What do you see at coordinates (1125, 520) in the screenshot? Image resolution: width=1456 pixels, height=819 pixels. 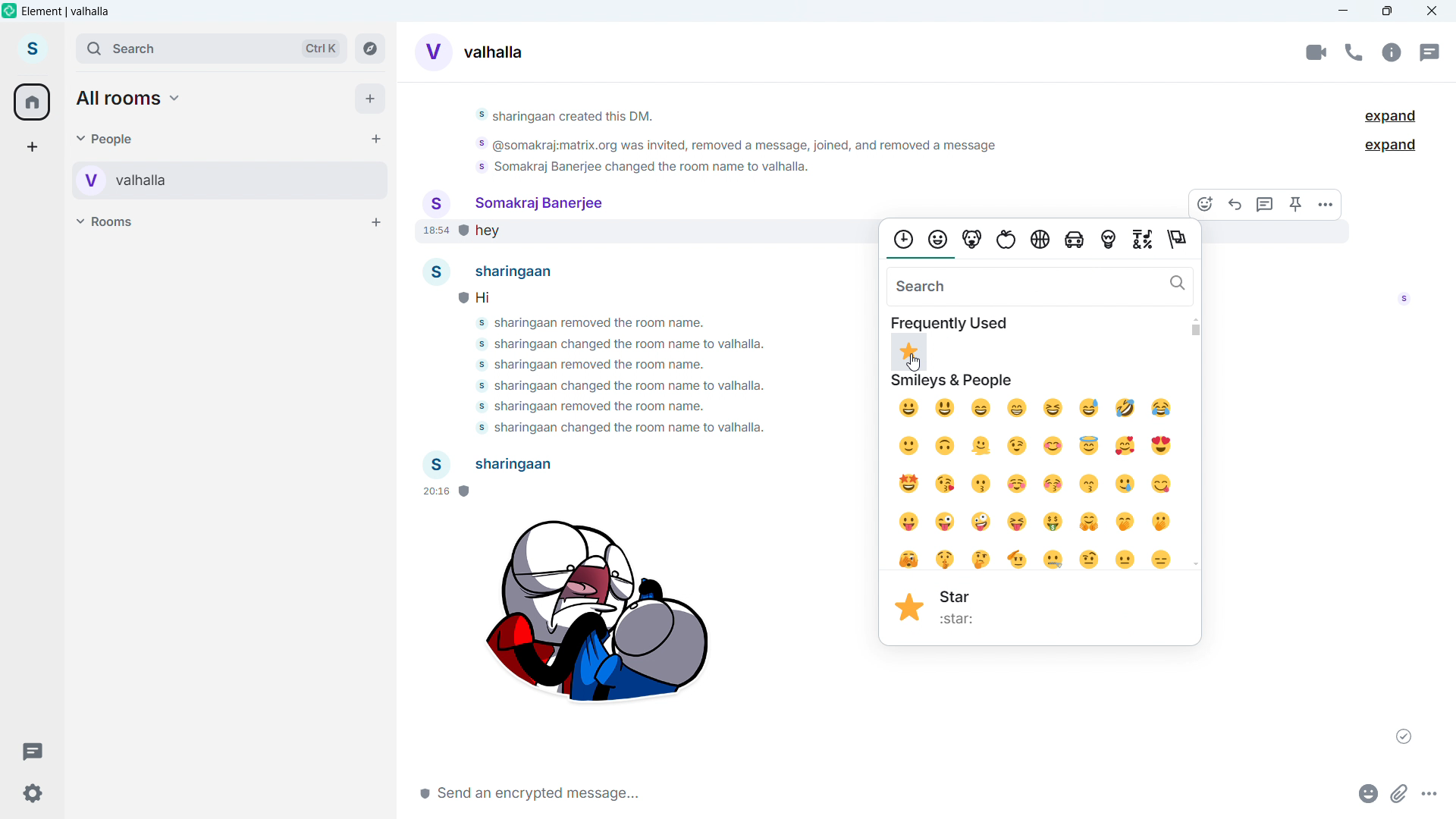 I see `face with hand cover mouth` at bounding box center [1125, 520].